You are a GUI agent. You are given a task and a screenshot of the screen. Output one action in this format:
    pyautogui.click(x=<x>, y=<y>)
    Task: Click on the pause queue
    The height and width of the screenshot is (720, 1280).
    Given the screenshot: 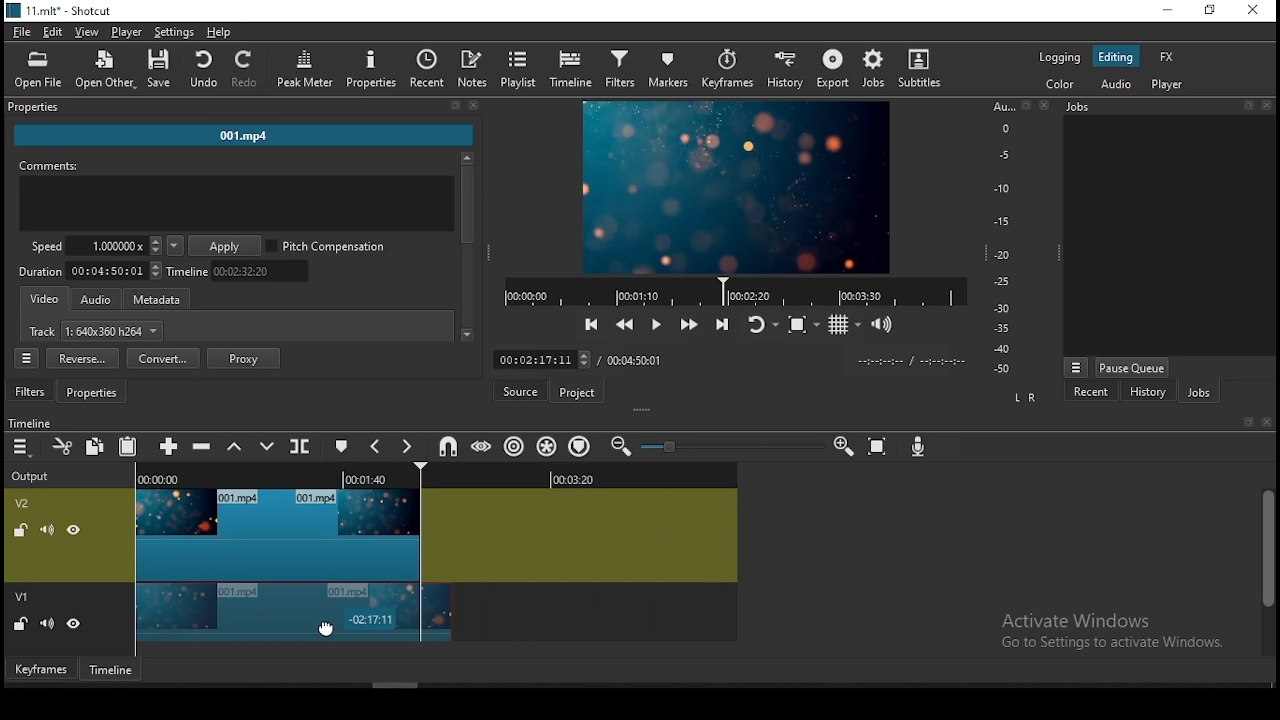 What is the action you would take?
    pyautogui.click(x=1132, y=367)
    